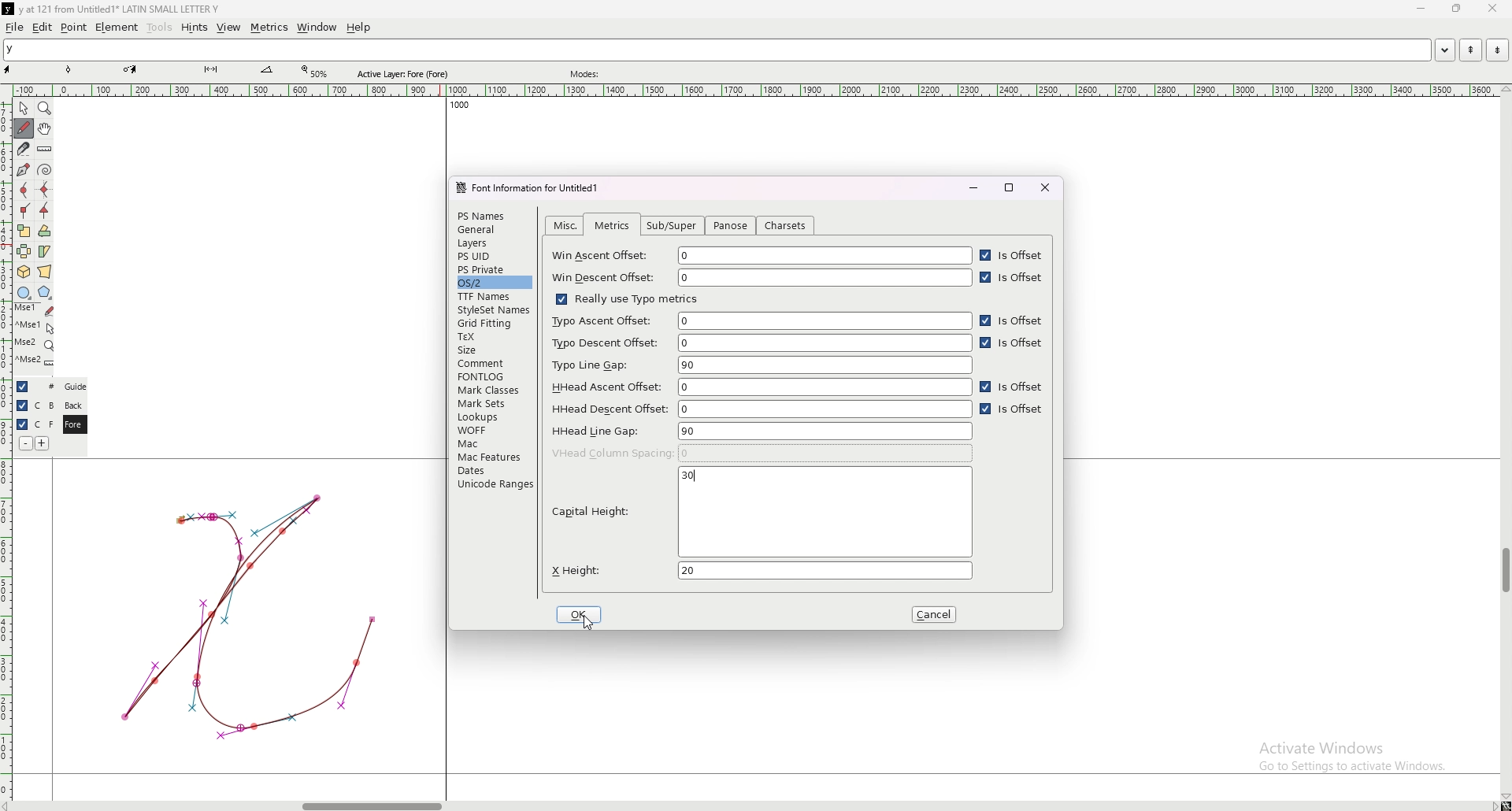  Describe the element at coordinates (1014, 344) in the screenshot. I see `is offset` at that location.